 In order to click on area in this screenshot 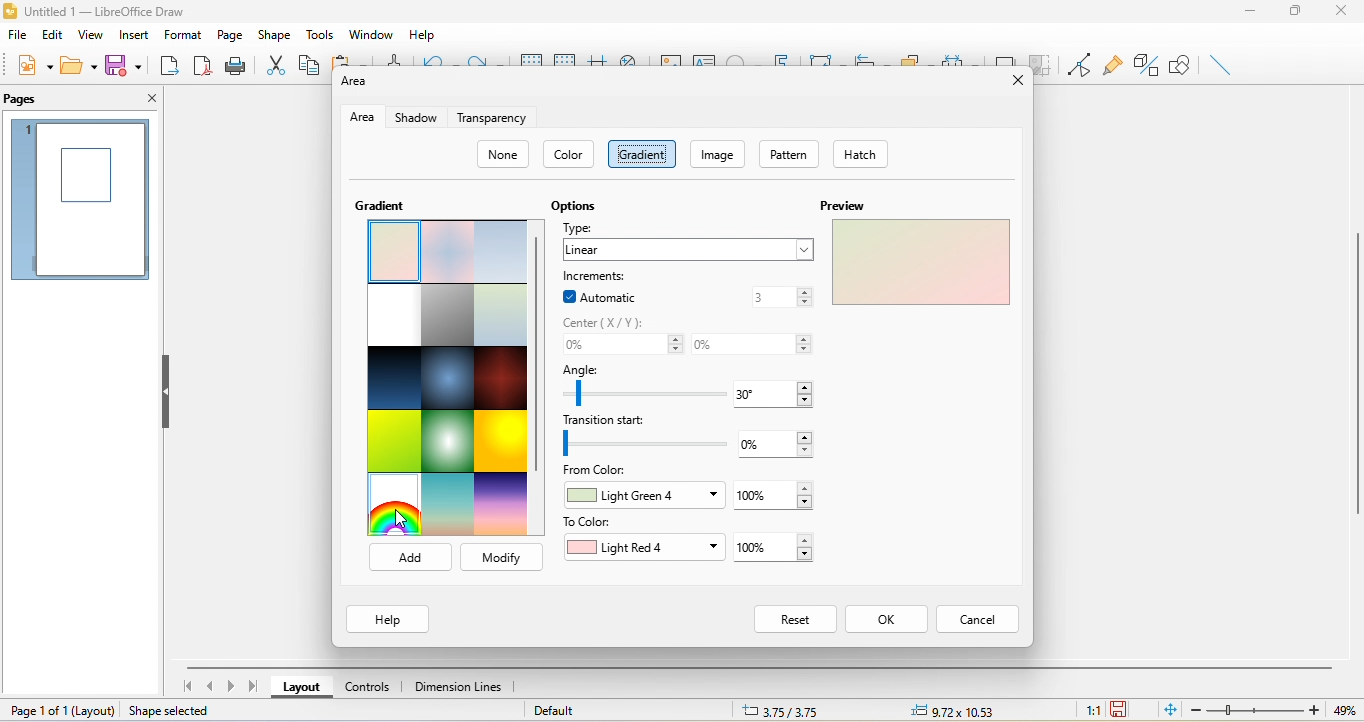, I will do `click(358, 85)`.